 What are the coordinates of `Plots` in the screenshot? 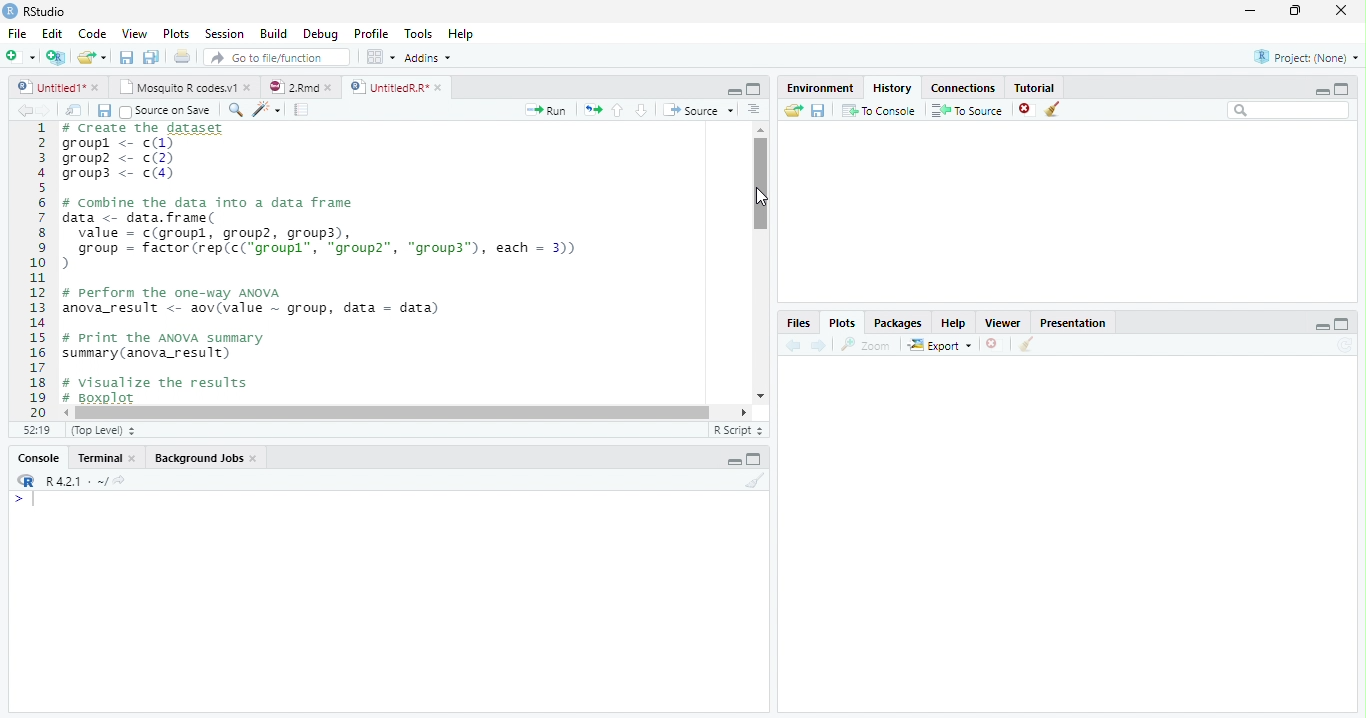 It's located at (841, 323).